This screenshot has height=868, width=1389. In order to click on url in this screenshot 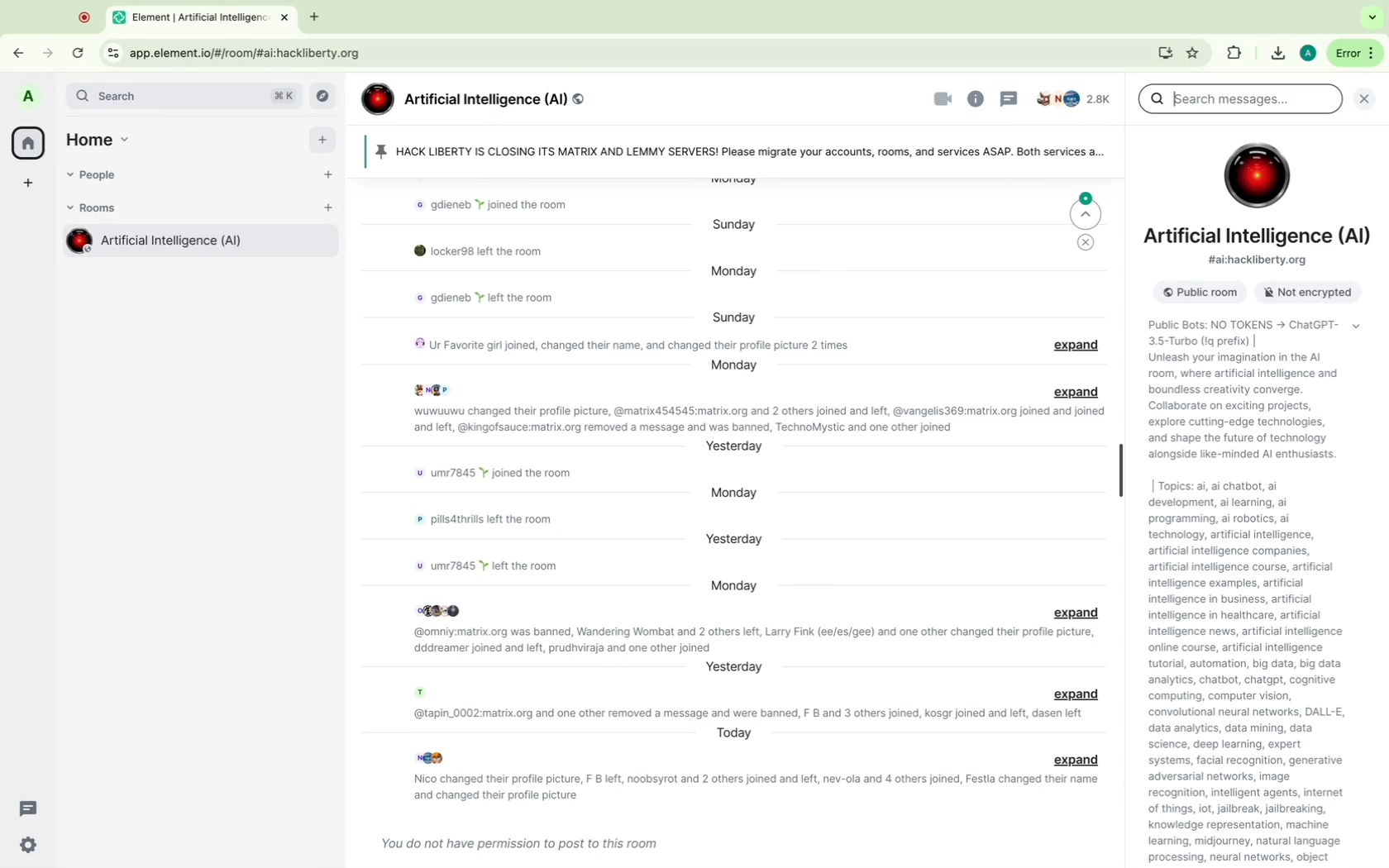, I will do `click(1260, 261)`.